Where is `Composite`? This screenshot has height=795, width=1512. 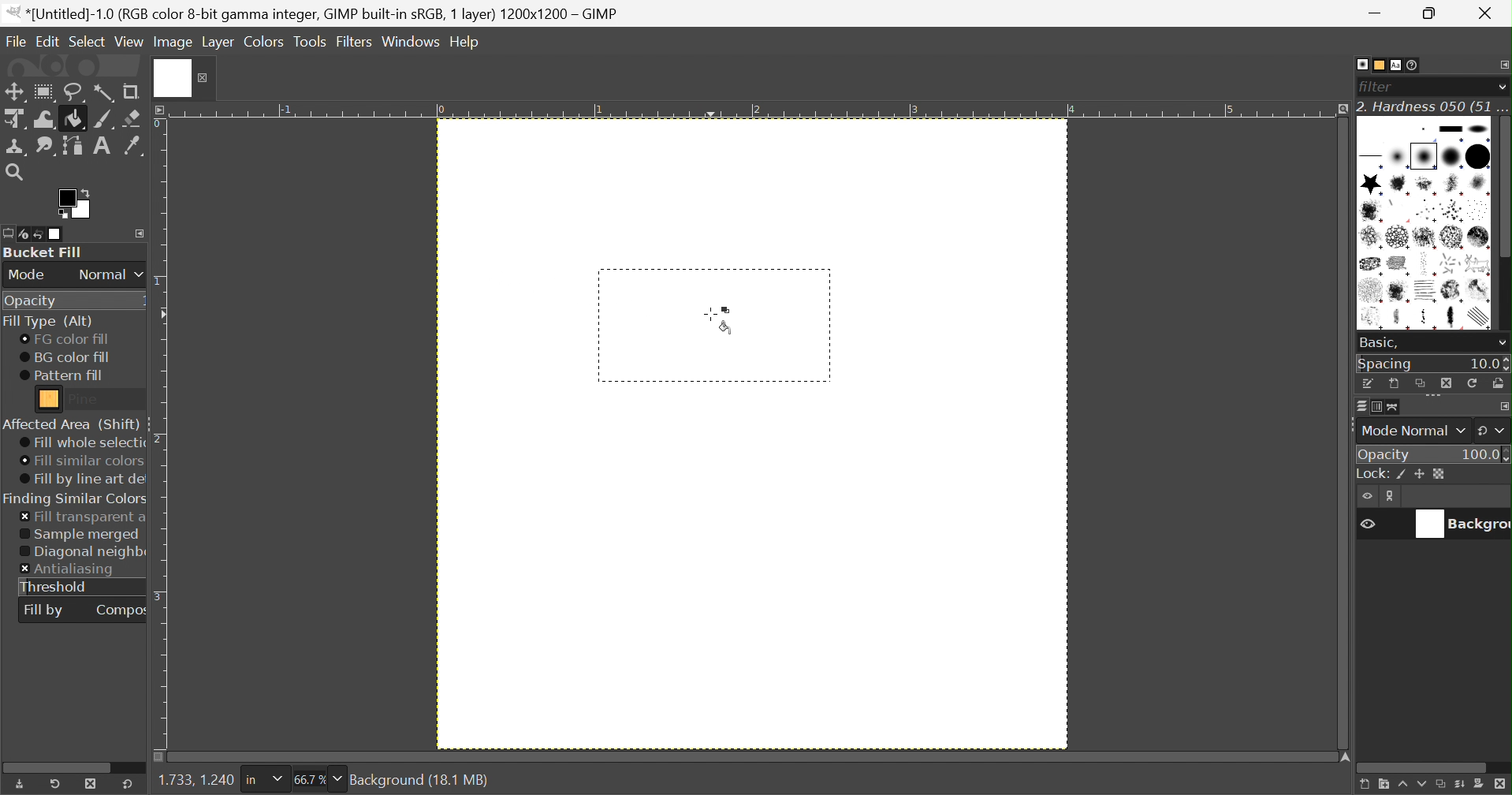
Composite is located at coordinates (122, 609).